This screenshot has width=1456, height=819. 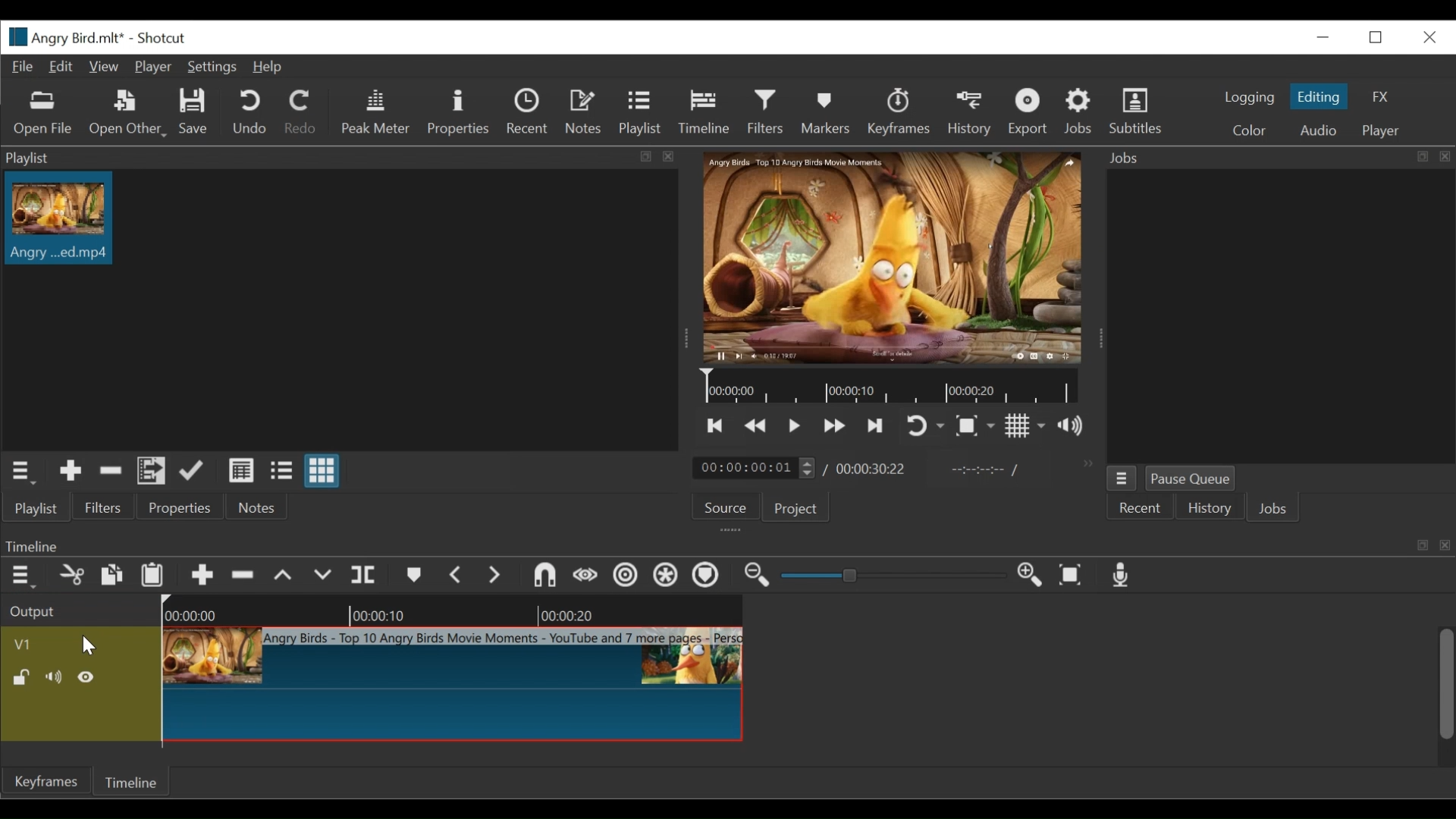 What do you see at coordinates (1031, 575) in the screenshot?
I see `Zoom timeline in` at bounding box center [1031, 575].